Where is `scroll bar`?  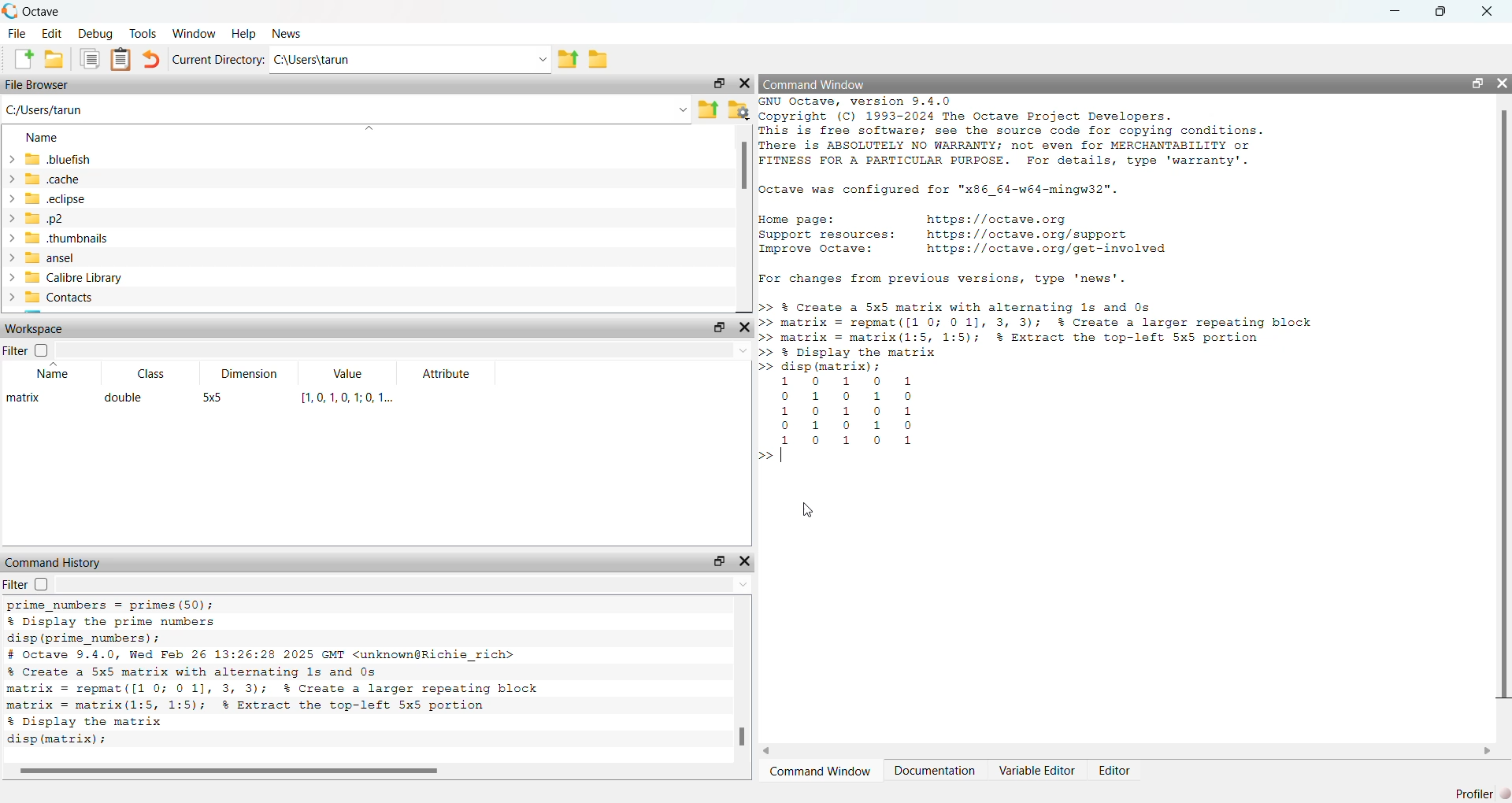 scroll bar is located at coordinates (230, 772).